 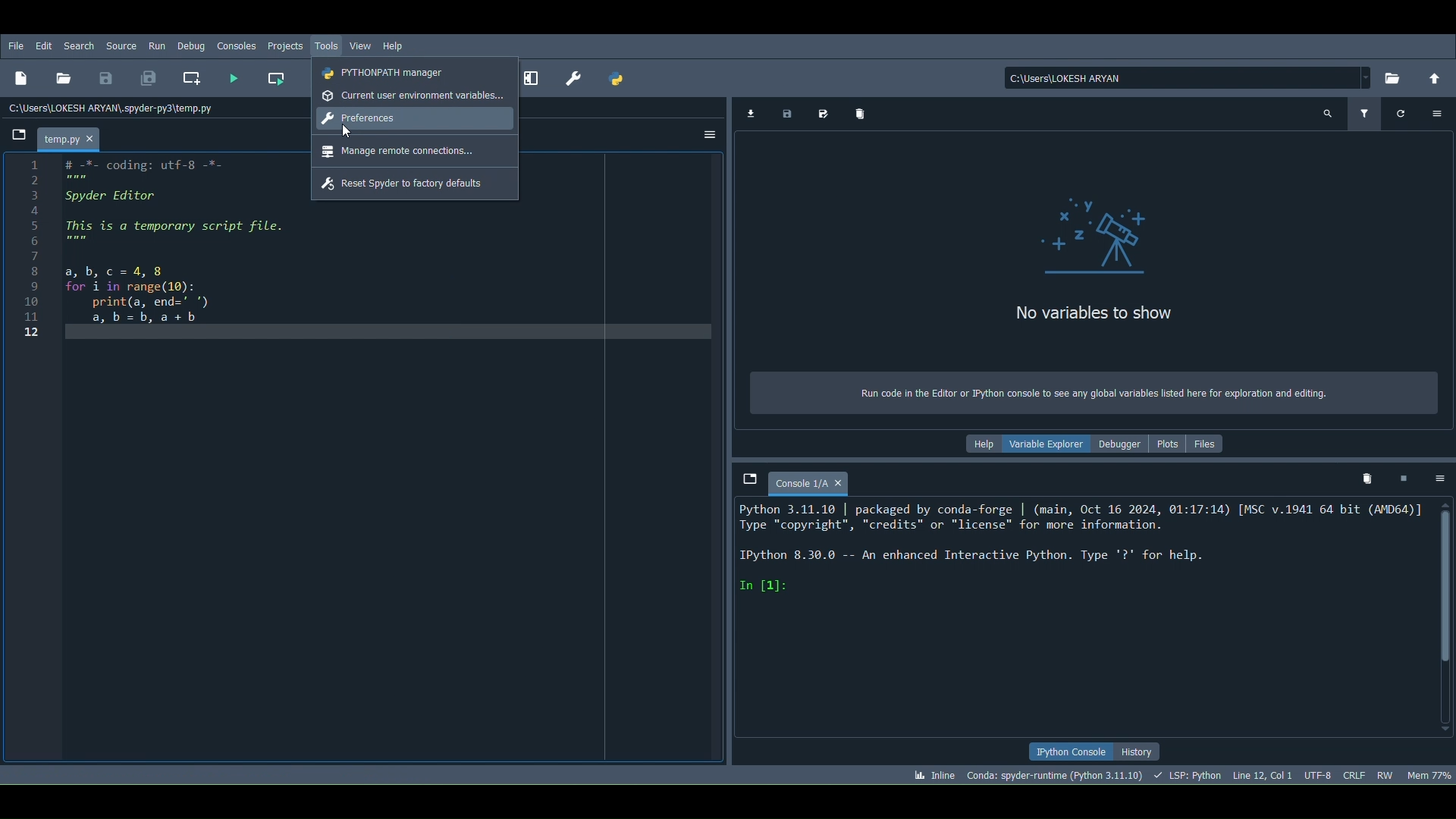 I want to click on File permissions, so click(x=1385, y=774).